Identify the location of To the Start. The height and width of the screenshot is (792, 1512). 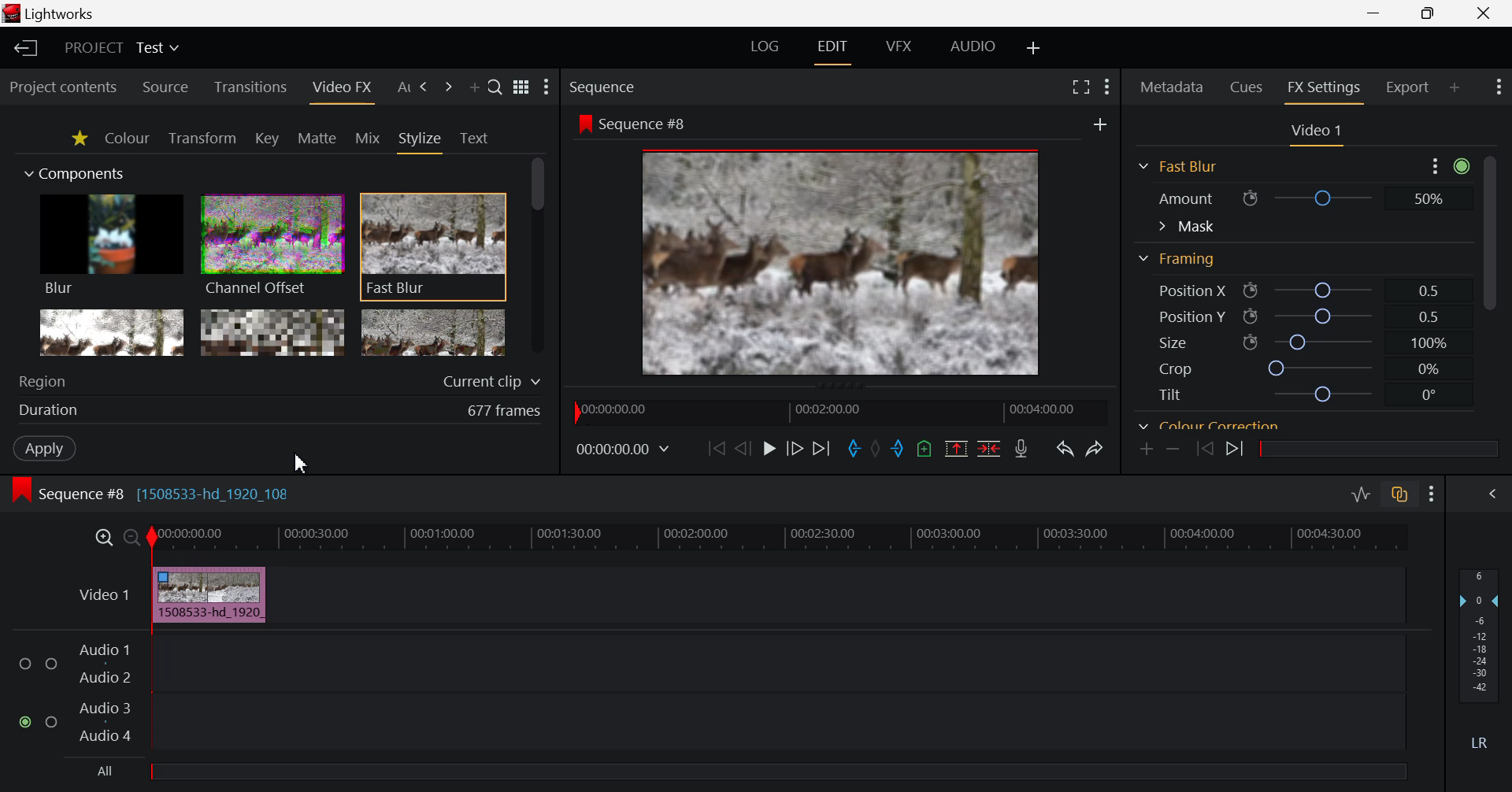
(715, 450).